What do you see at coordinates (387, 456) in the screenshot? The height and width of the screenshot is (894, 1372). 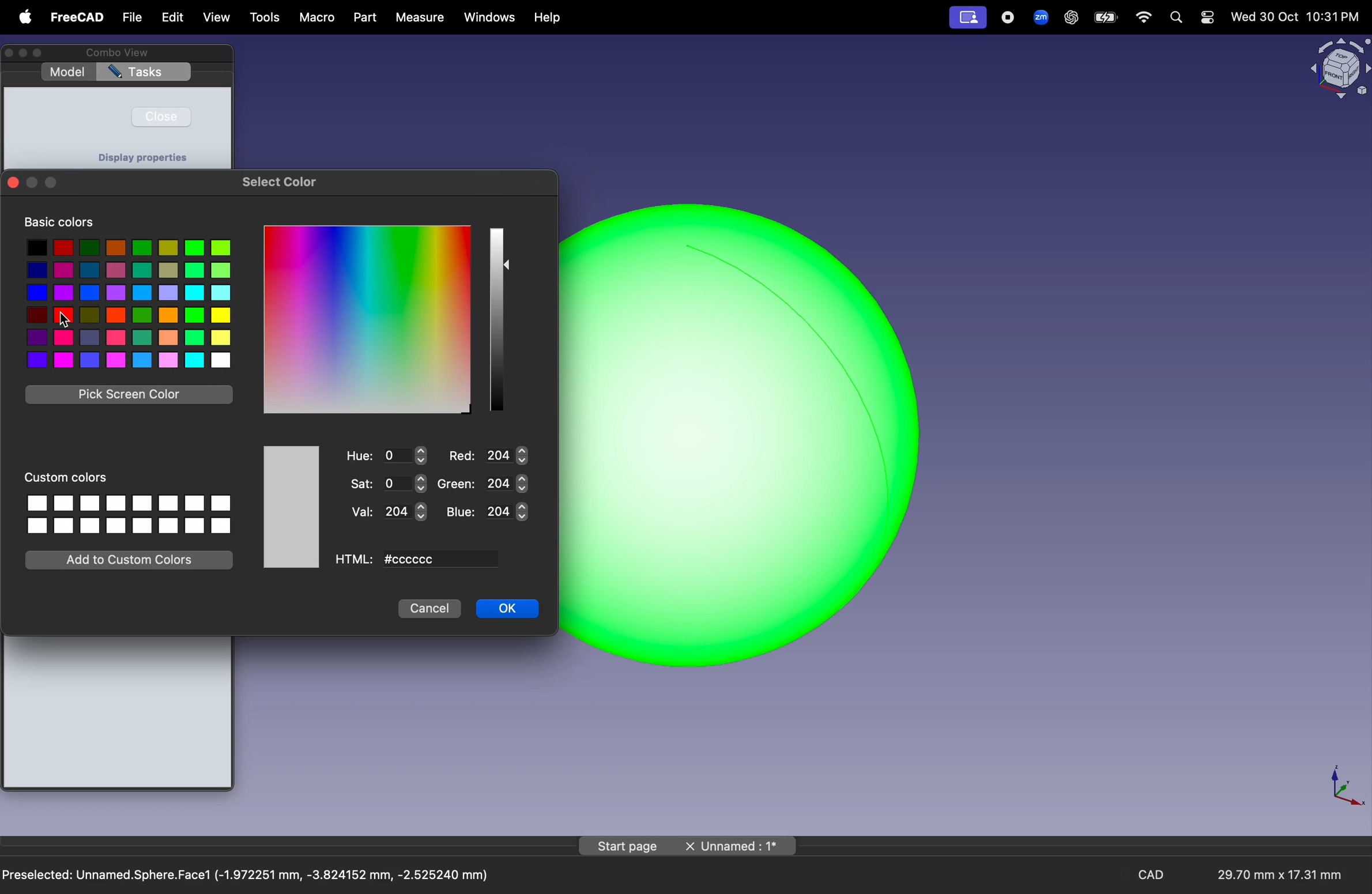 I see `hue` at bounding box center [387, 456].